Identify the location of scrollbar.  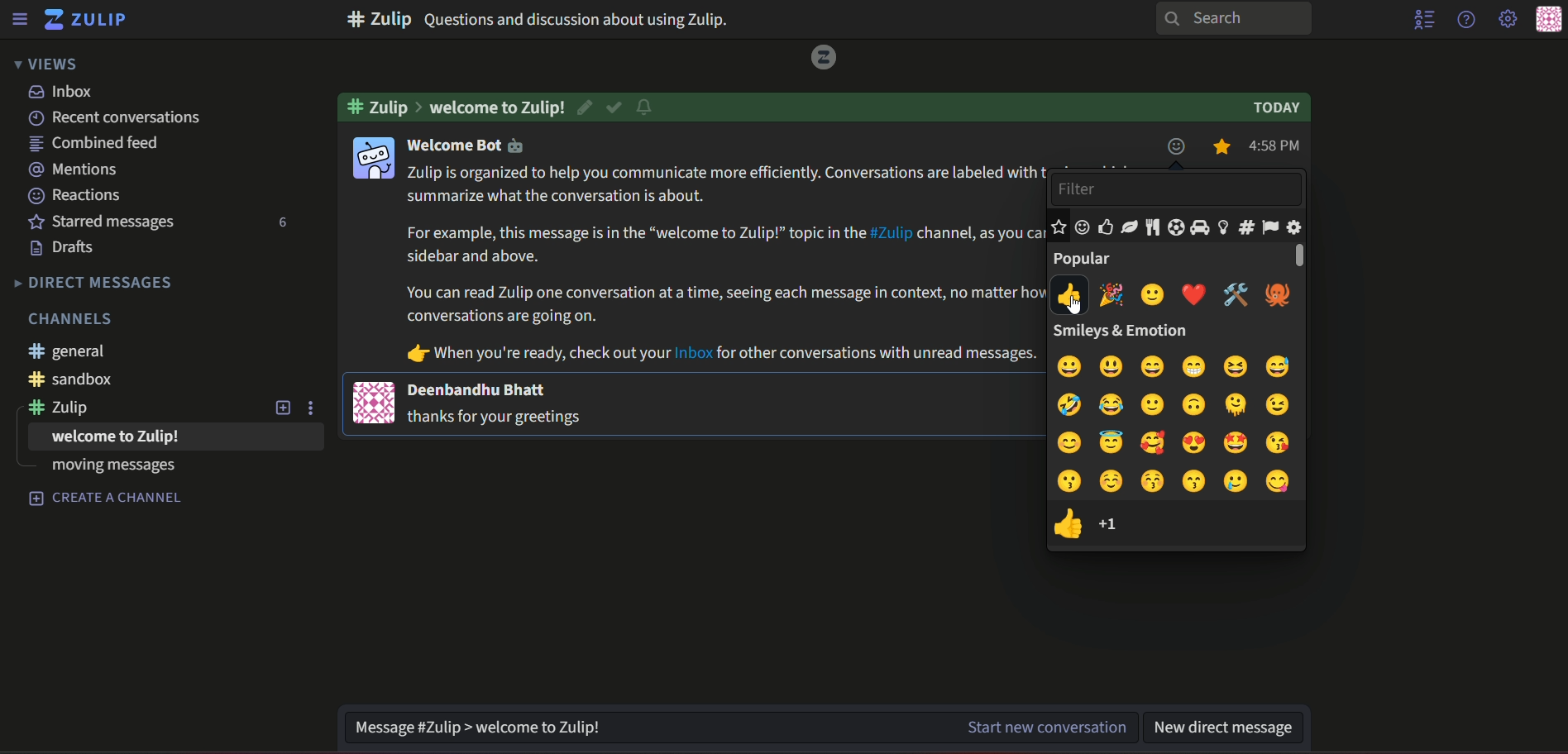
(1293, 255).